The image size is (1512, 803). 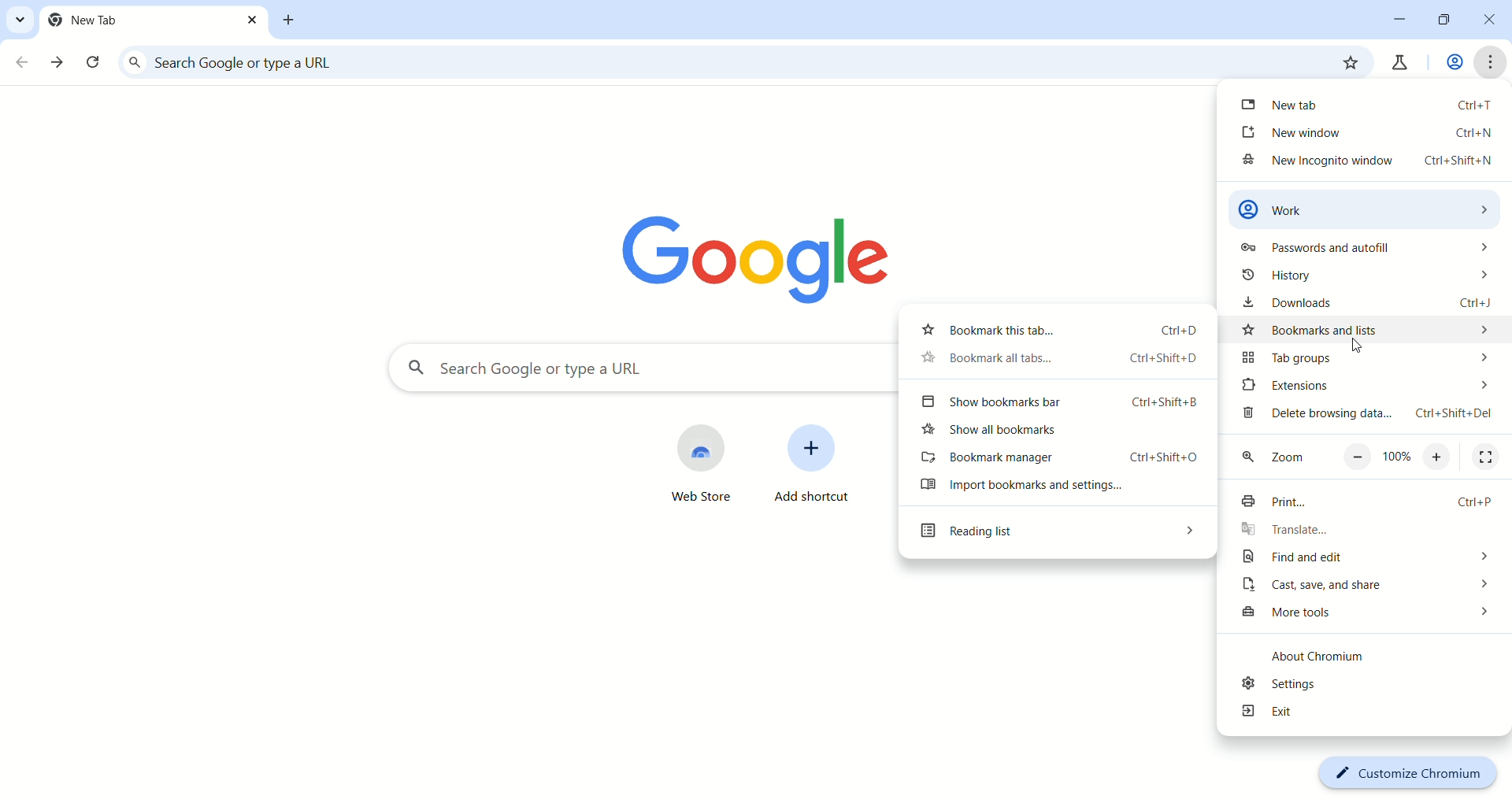 I want to click on maximize, so click(x=1447, y=22).